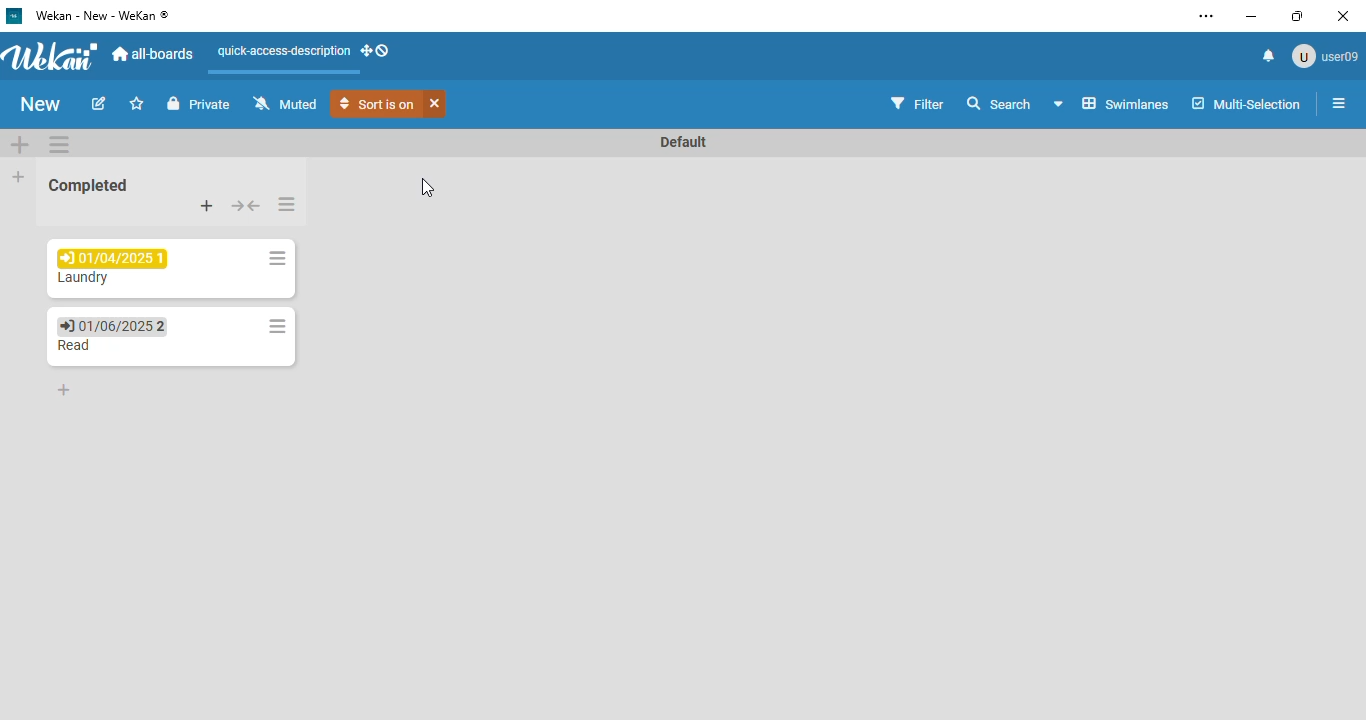 The width and height of the screenshot is (1366, 720). What do you see at coordinates (1251, 17) in the screenshot?
I see `minimize` at bounding box center [1251, 17].